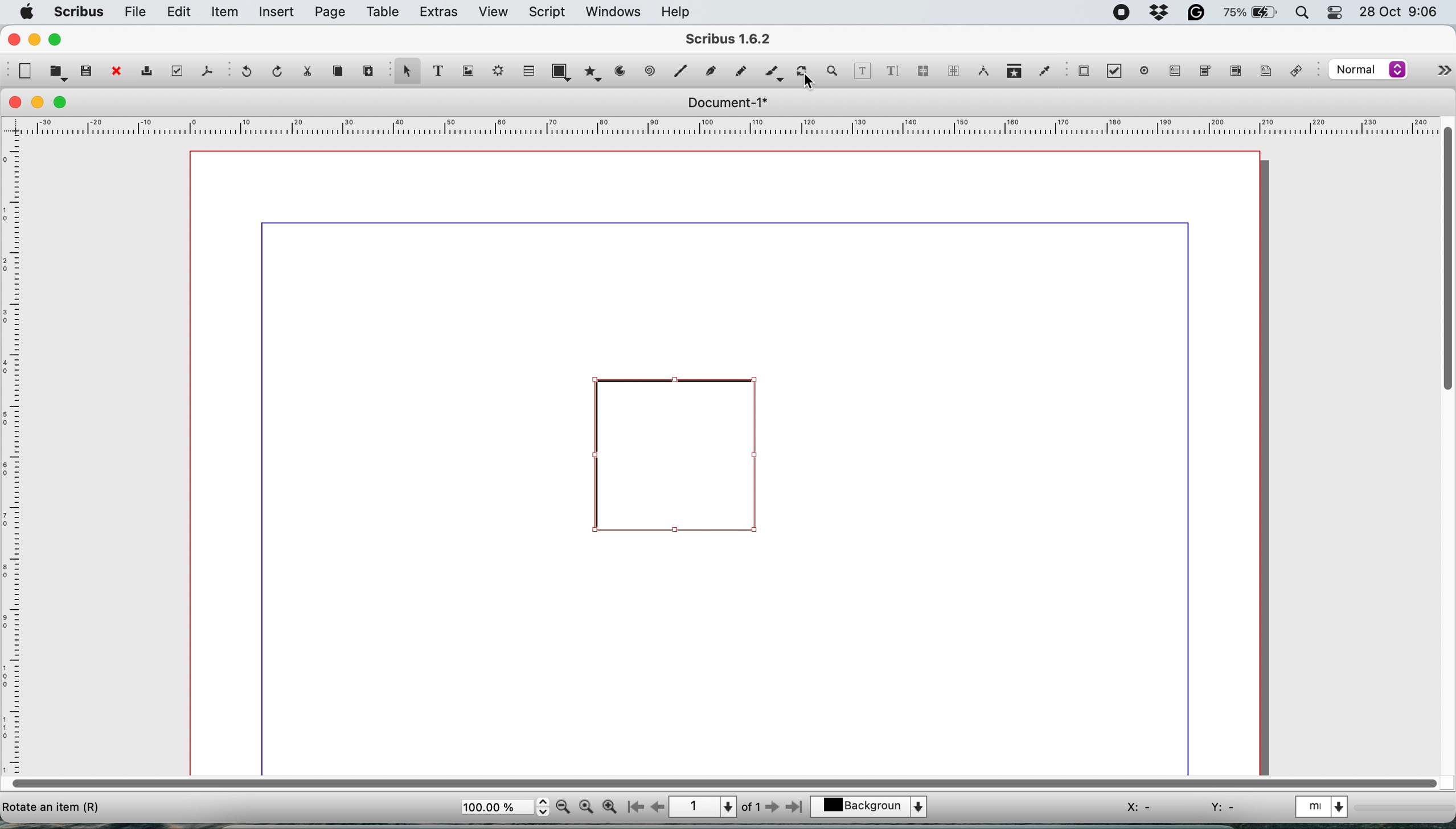 This screenshot has height=829, width=1456. What do you see at coordinates (79, 12) in the screenshot?
I see `scribus` at bounding box center [79, 12].